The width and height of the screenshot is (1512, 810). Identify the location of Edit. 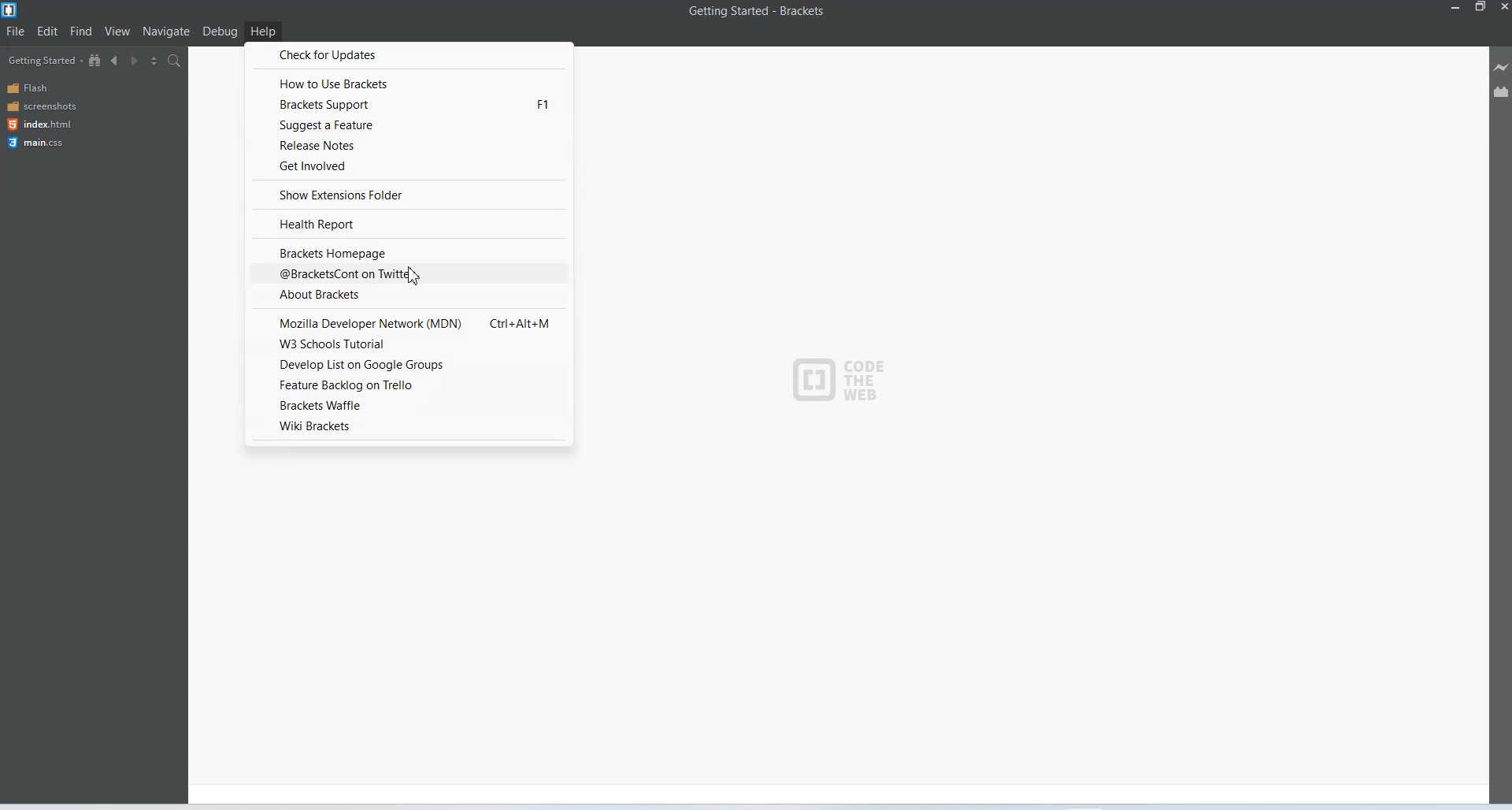
(47, 32).